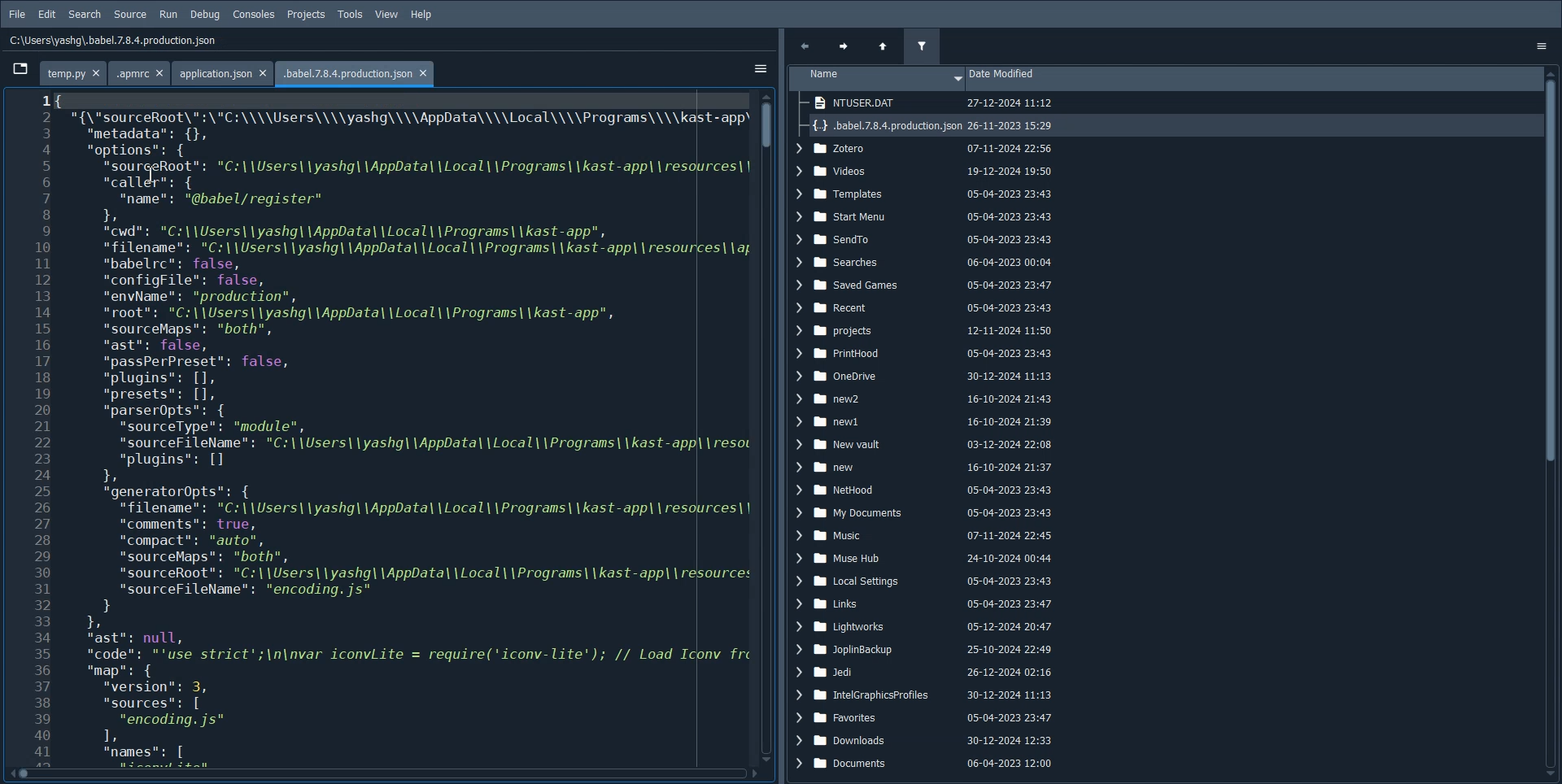 This screenshot has height=784, width=1562. What do you see at coordinates (20, 68) in the screenshot?
I see `Browse Tab` at bounding box center [20, 68].